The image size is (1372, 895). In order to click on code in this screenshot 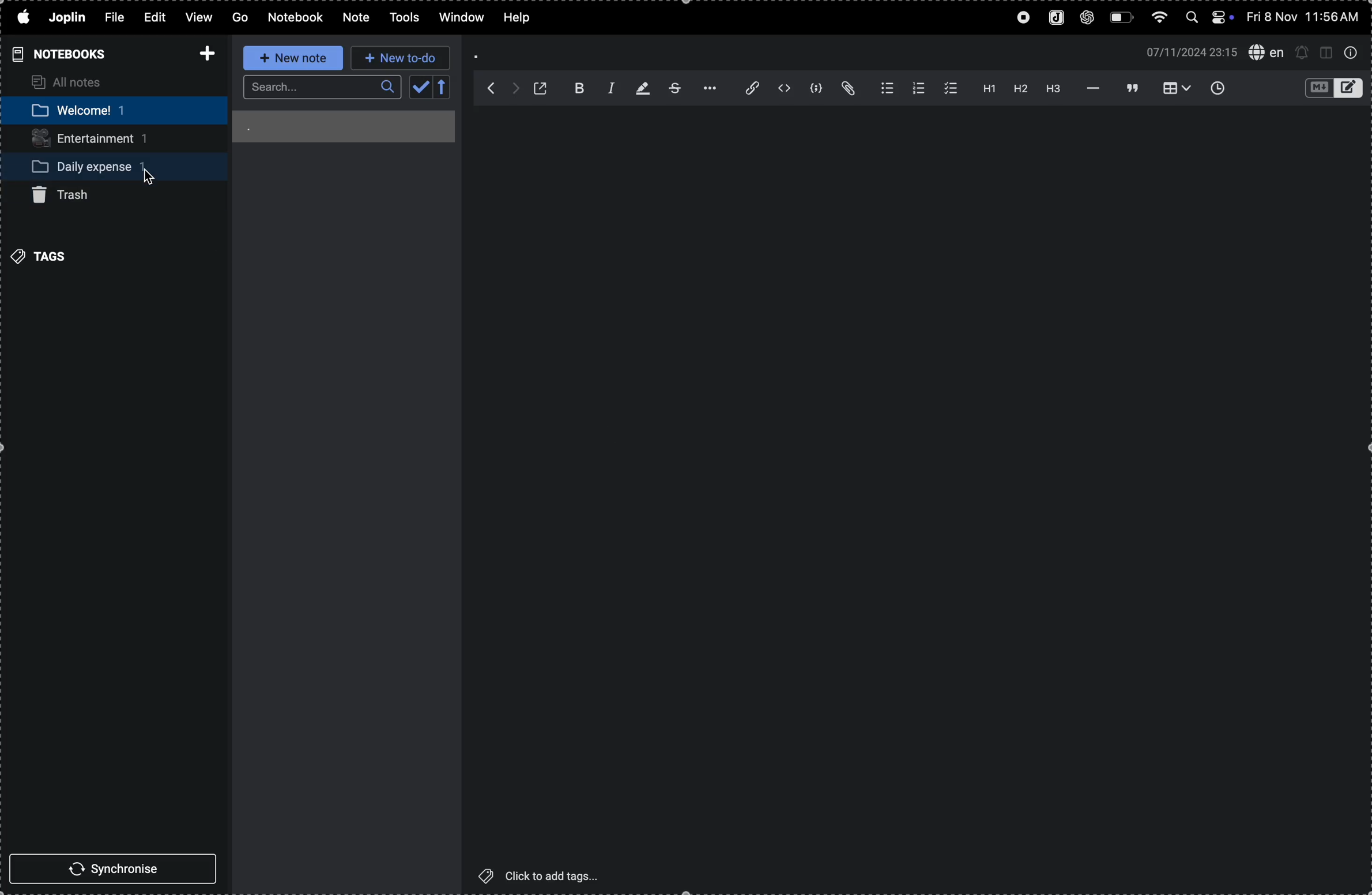, I will do `click(817, 90)`.